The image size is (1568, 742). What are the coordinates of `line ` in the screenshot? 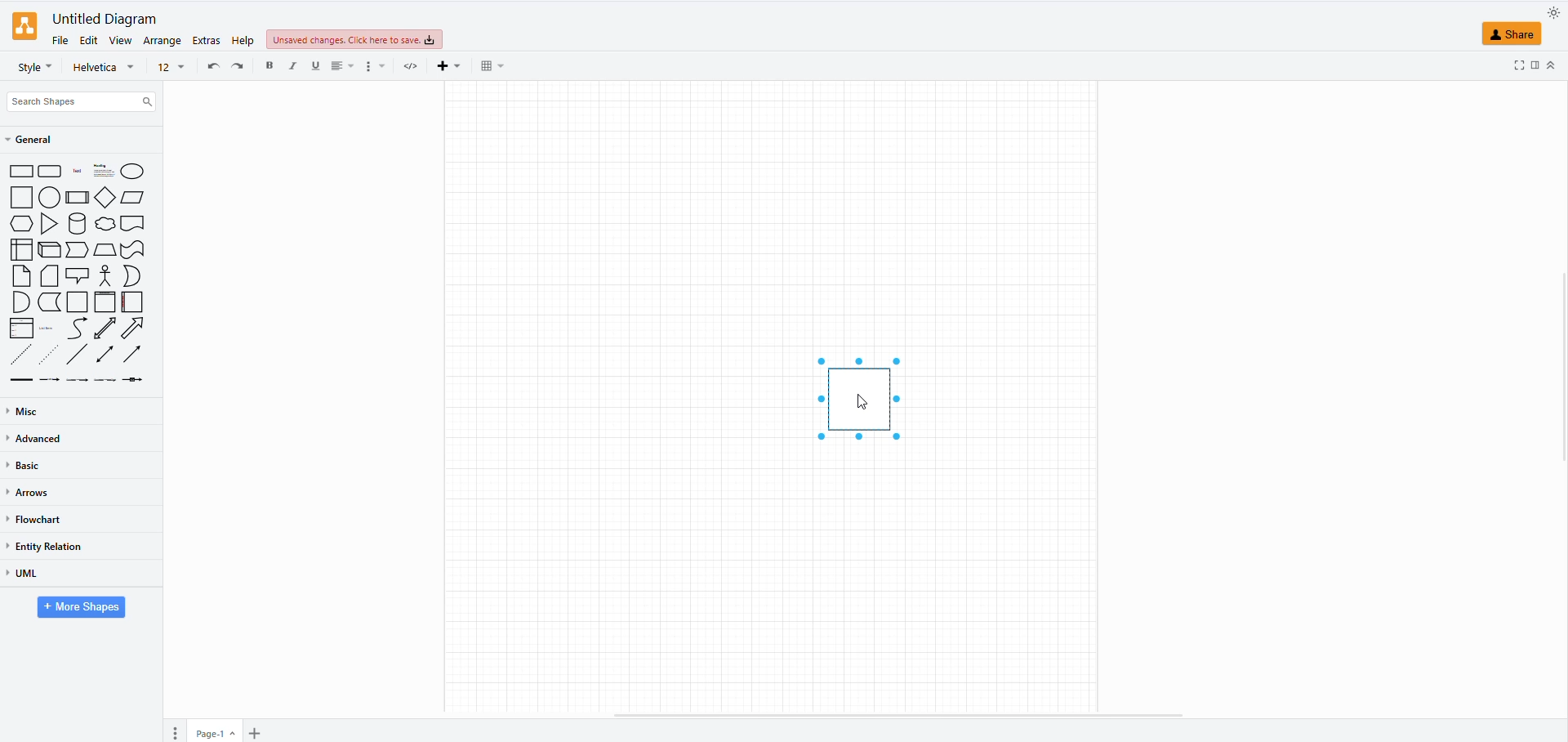 It's located at (78, 355).